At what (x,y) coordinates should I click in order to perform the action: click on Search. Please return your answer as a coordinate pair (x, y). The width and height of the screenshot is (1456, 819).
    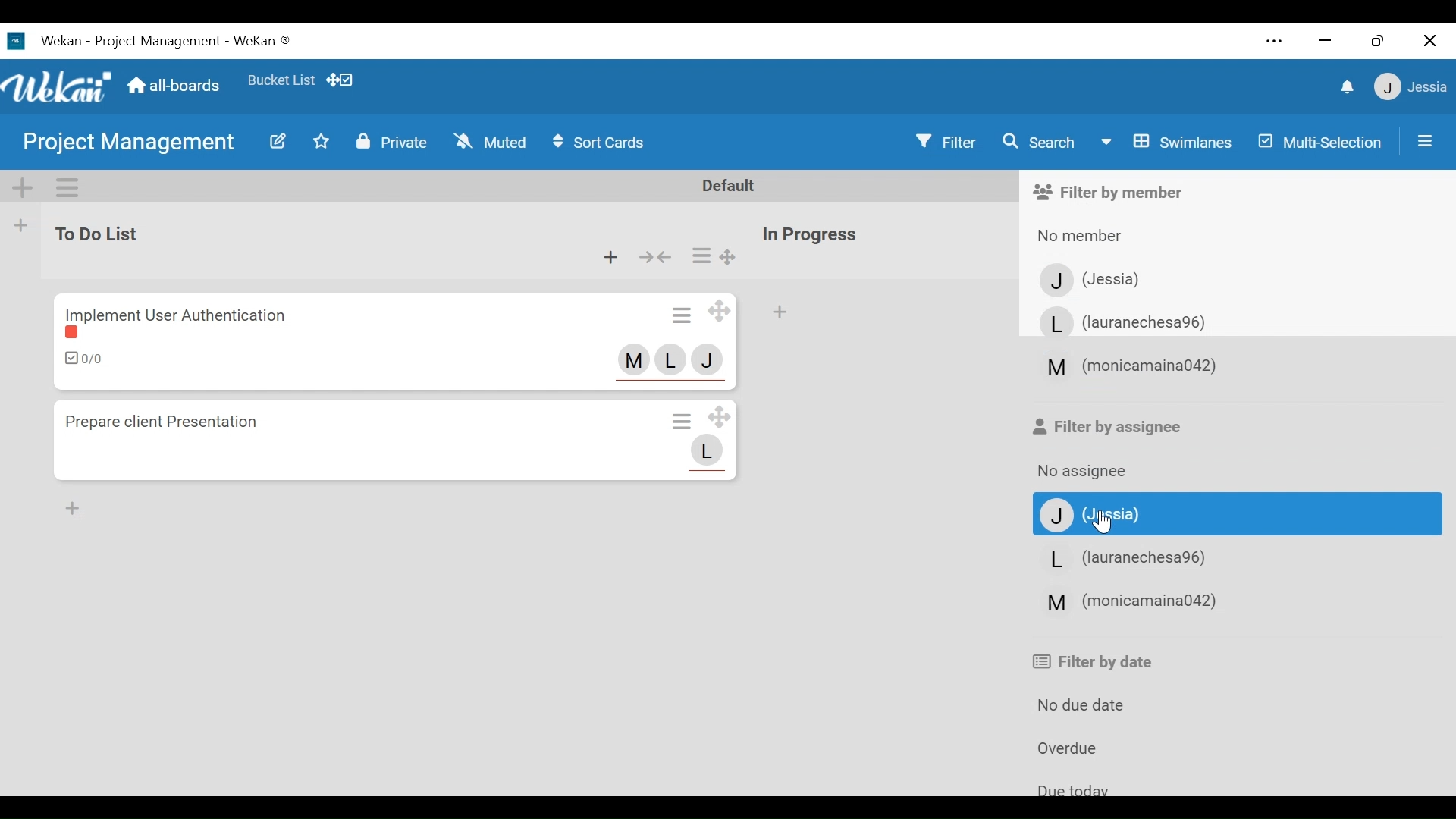
    Looking at the image, I should click on (1040, 142).